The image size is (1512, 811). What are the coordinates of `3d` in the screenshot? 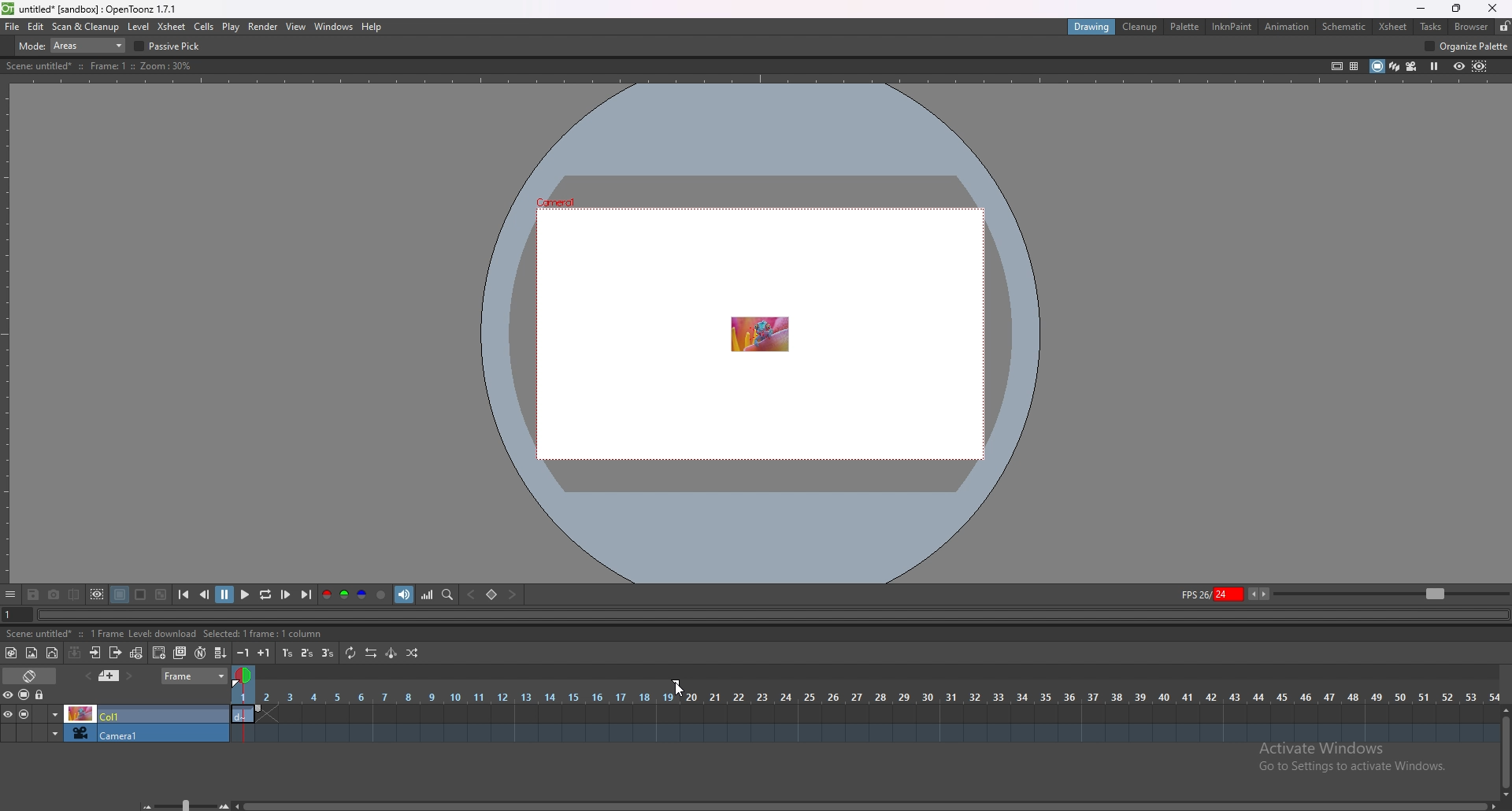 It's located at (1395, 65).